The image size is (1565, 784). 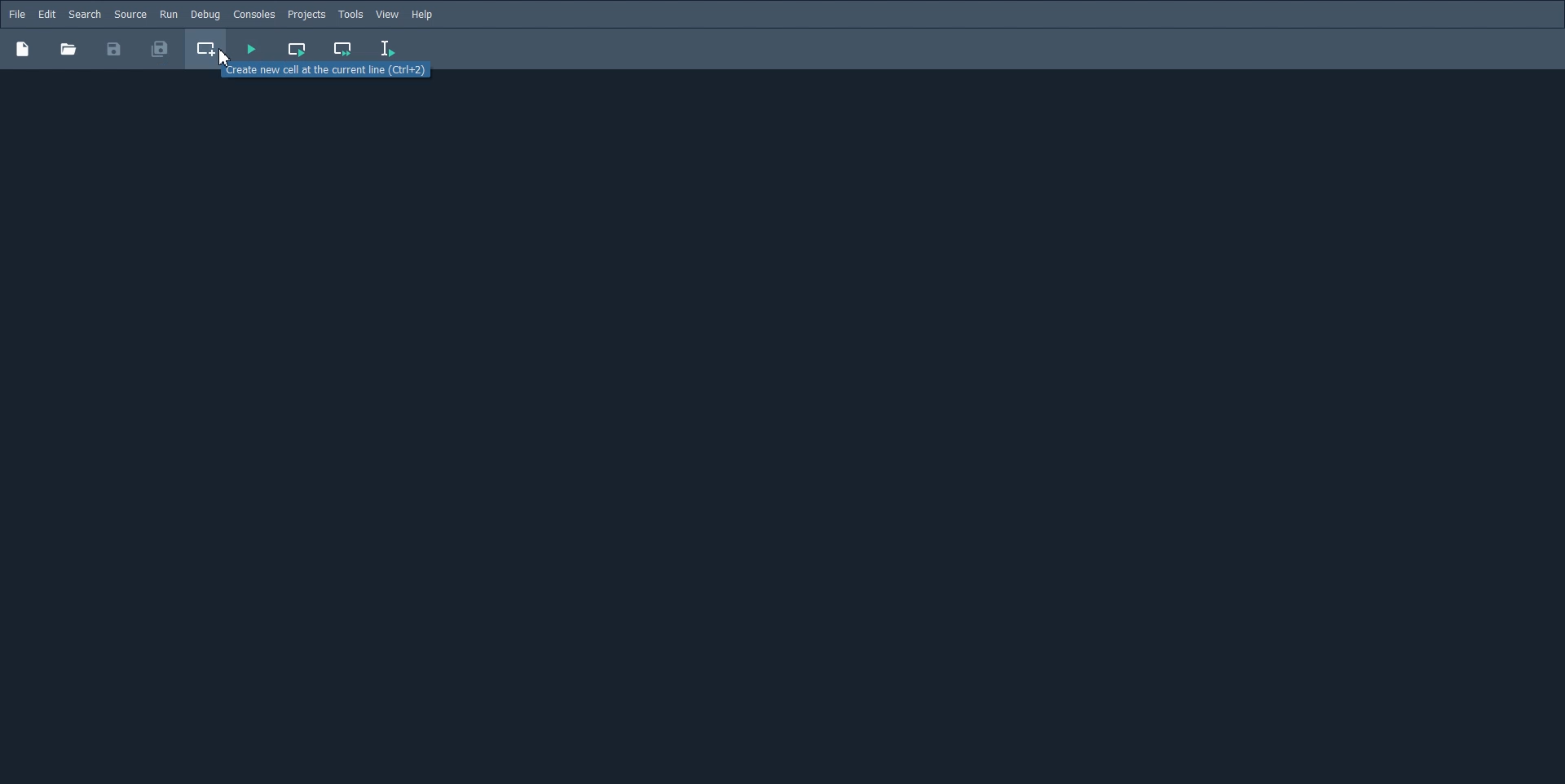 I want to click on Create new cell at the current file, so click(x=322, y=73).